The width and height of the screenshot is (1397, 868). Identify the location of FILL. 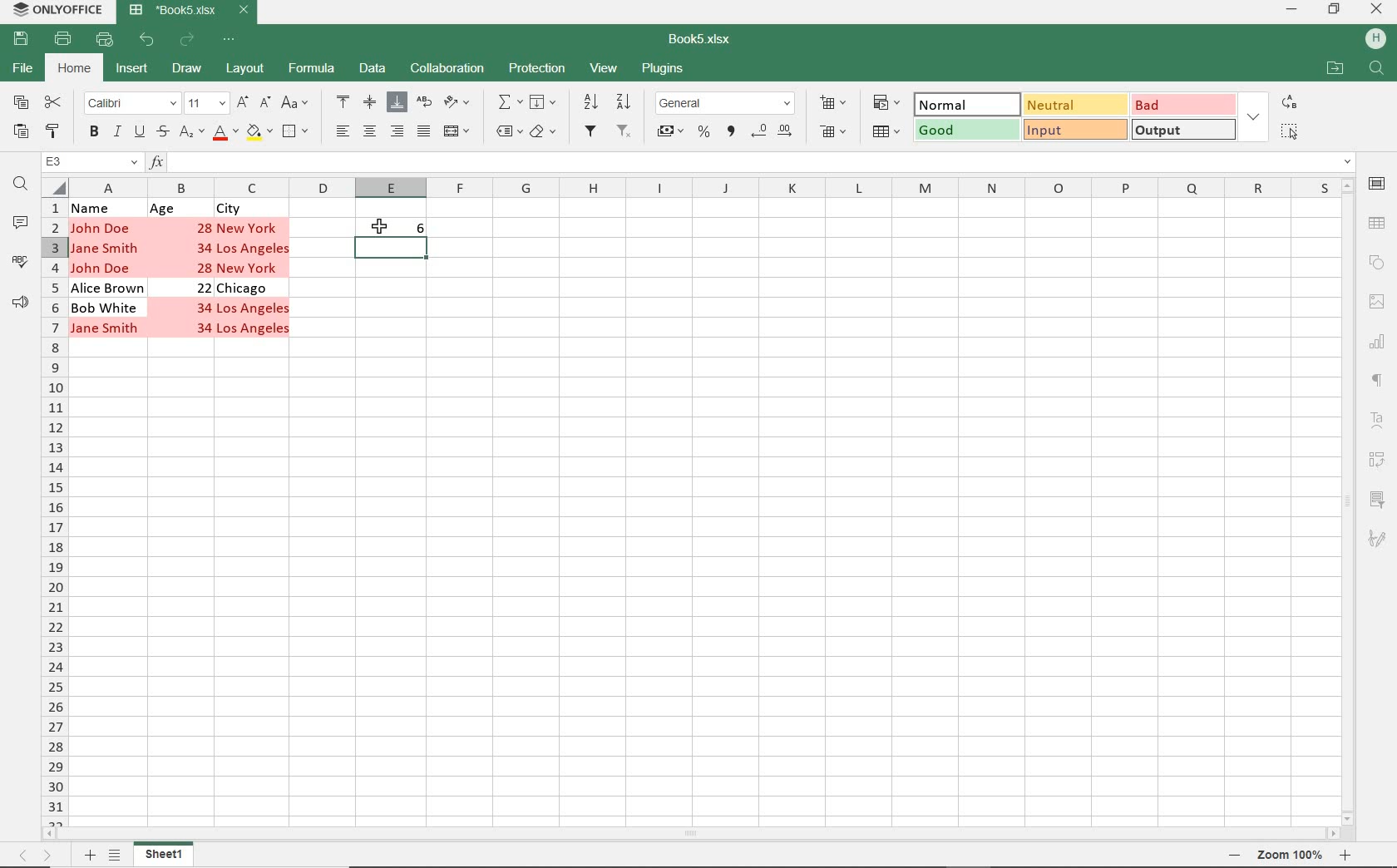
(543, 101).